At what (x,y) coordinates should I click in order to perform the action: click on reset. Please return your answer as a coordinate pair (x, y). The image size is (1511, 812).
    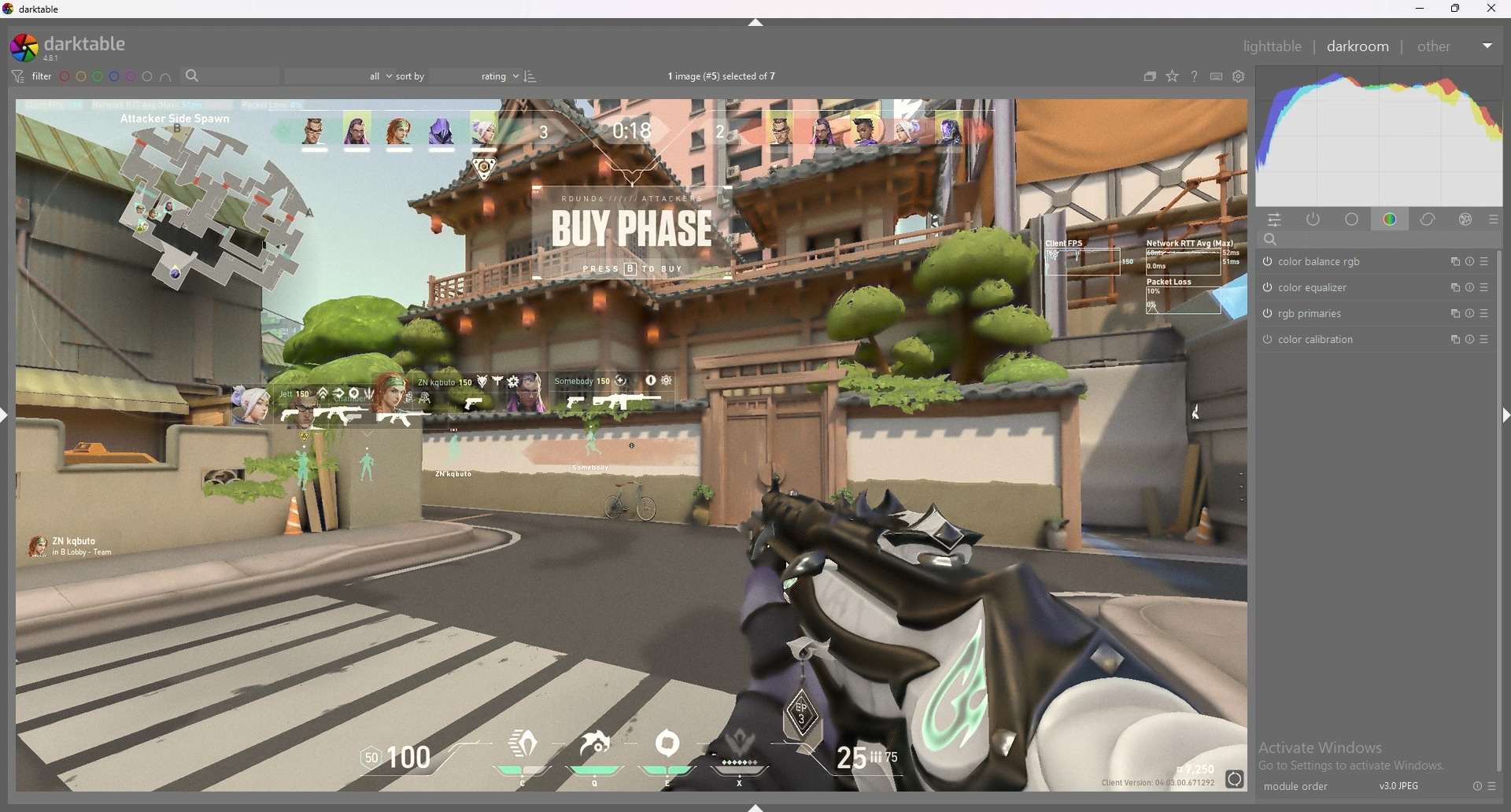
    Looking at the image, I should click on (1469, 261).